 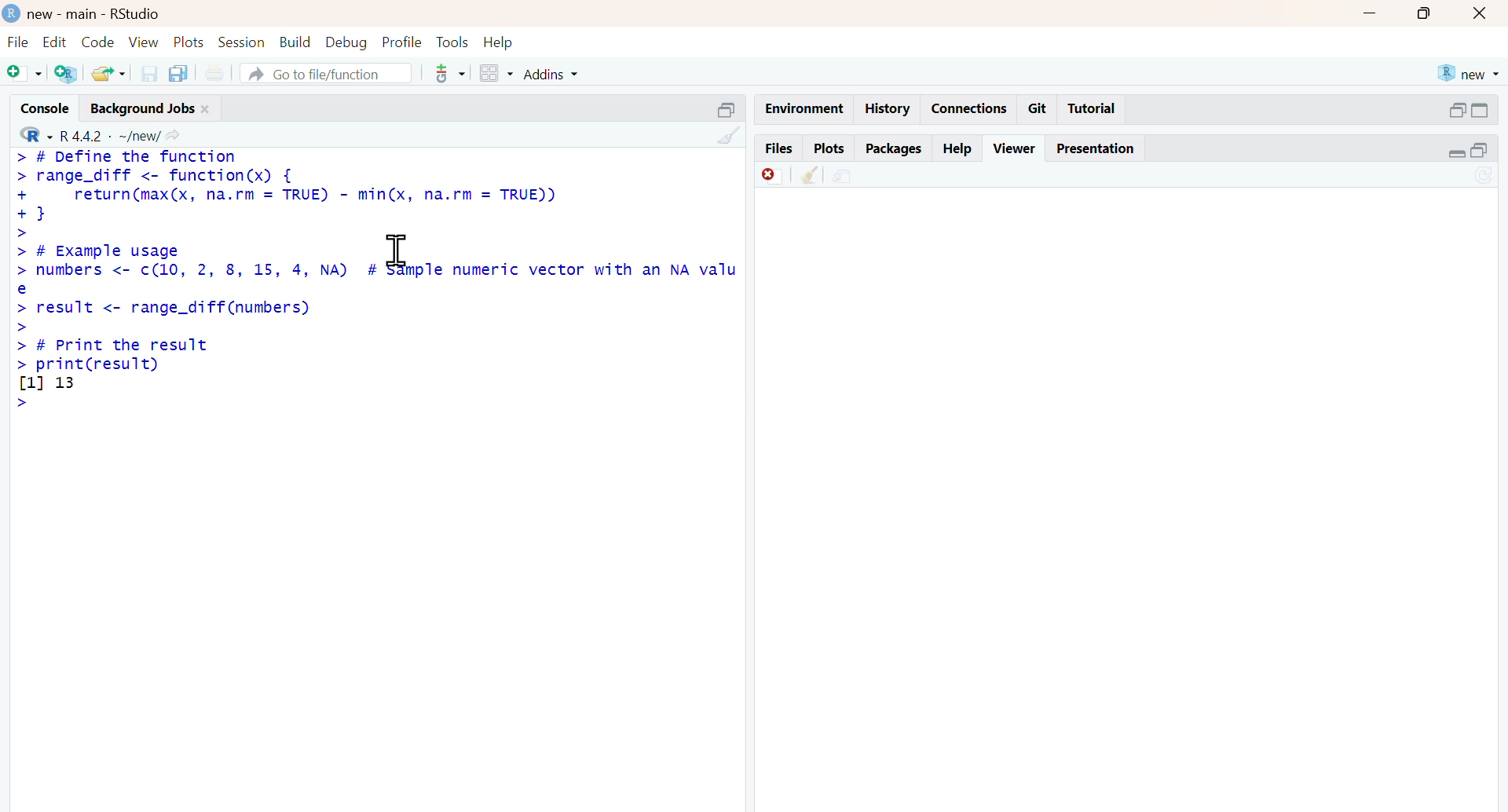 What do you see at coordinates (26, 74) in the screenshot?
I see `add file as` at bounding box center [26, 74].